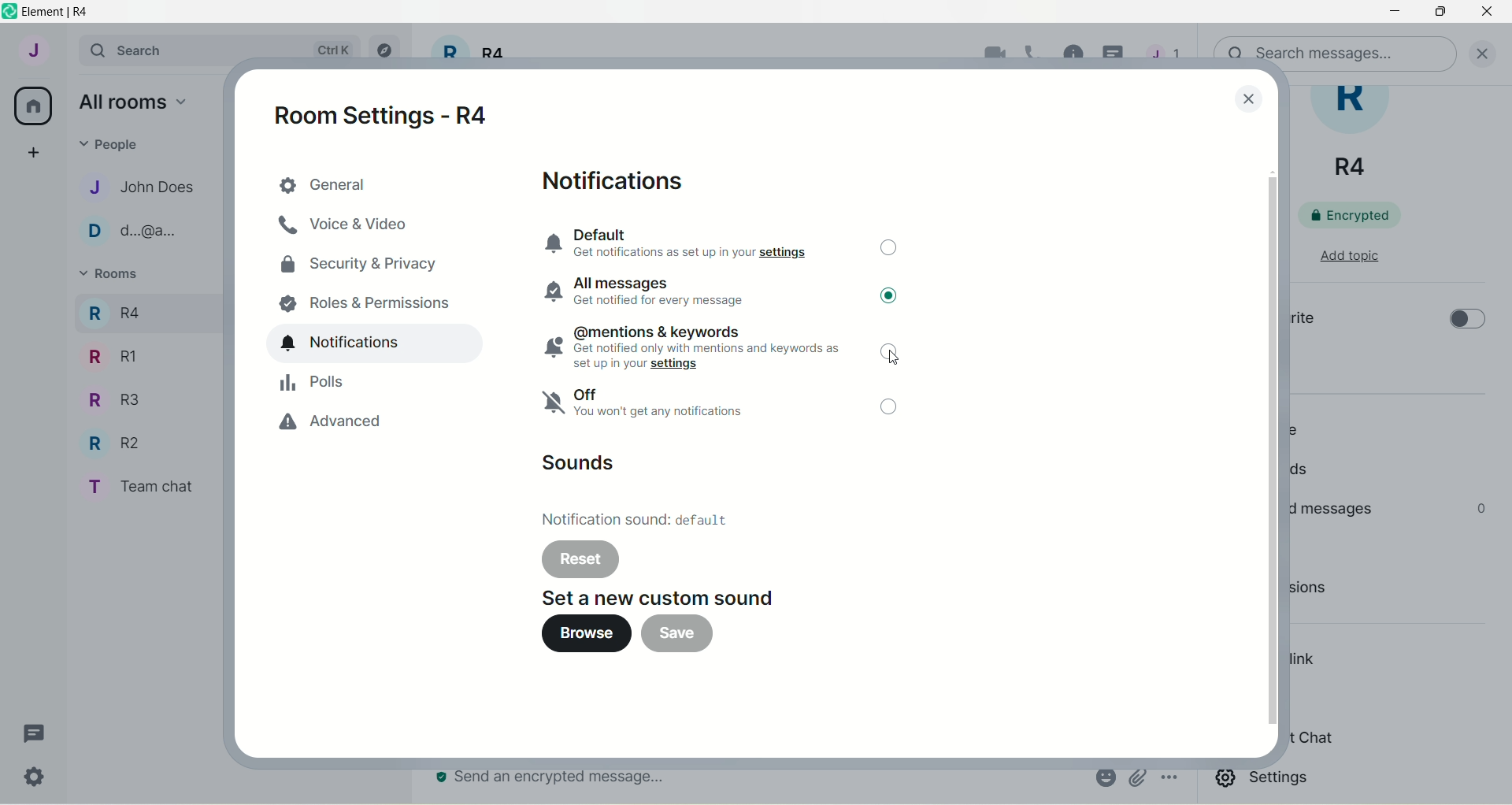  Describe the element at coordinates (112, 276) in the screenshot. I see `rooms` at that location.